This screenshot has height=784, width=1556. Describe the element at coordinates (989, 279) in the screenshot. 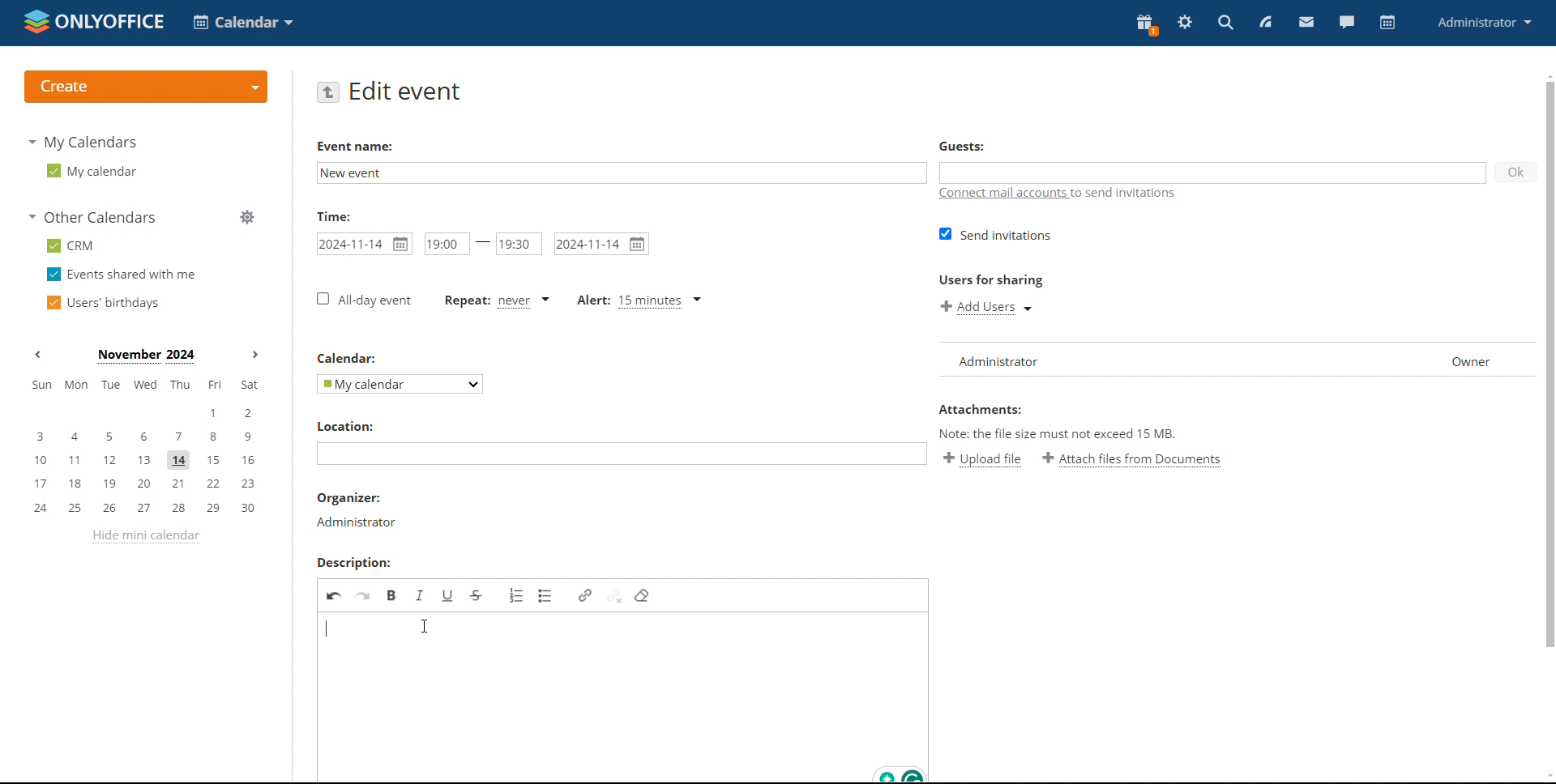

I see `users for sharing` at that location.